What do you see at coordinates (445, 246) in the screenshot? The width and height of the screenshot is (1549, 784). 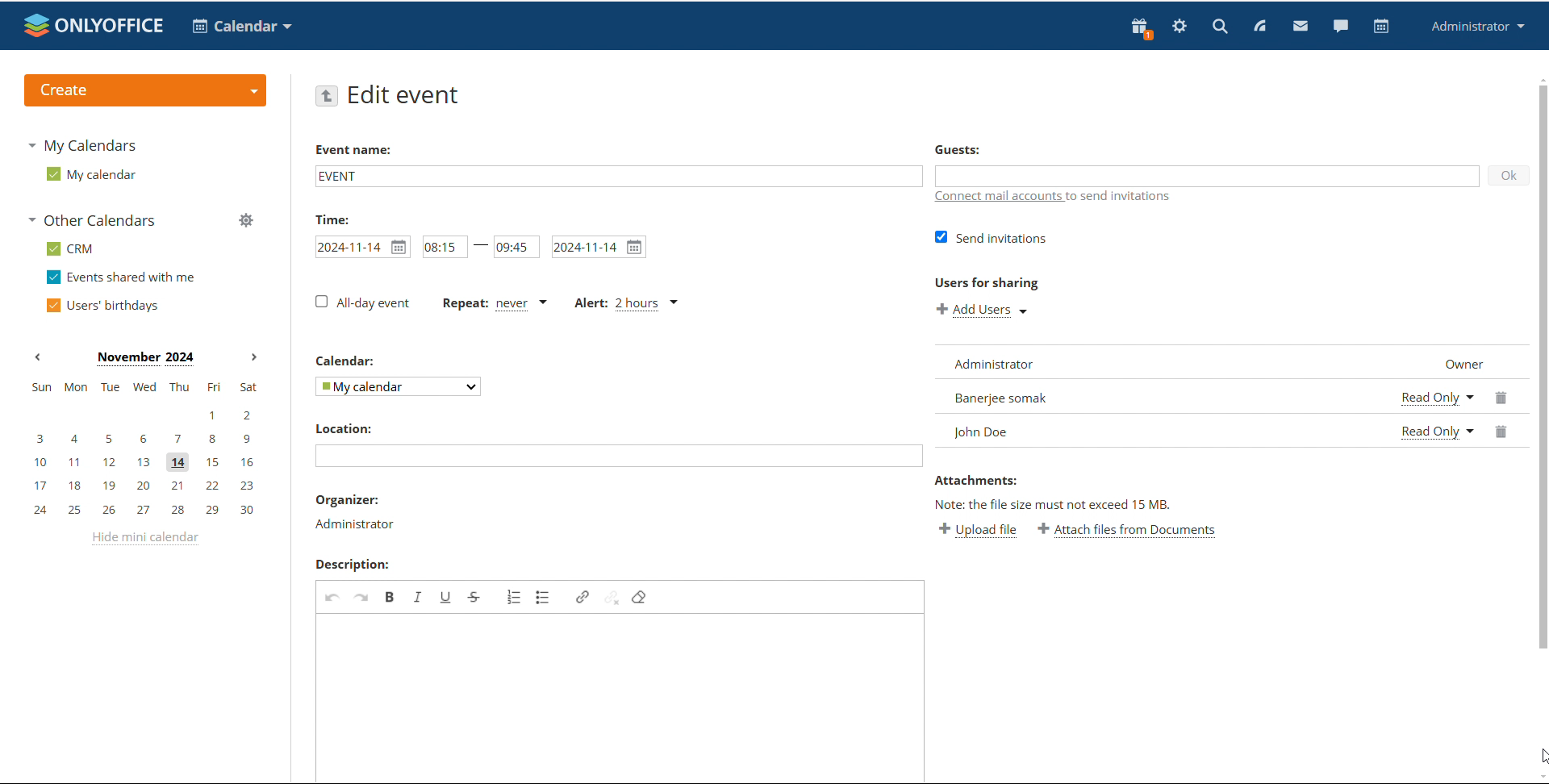 I see `set start time` at bounding box center [445, 246].